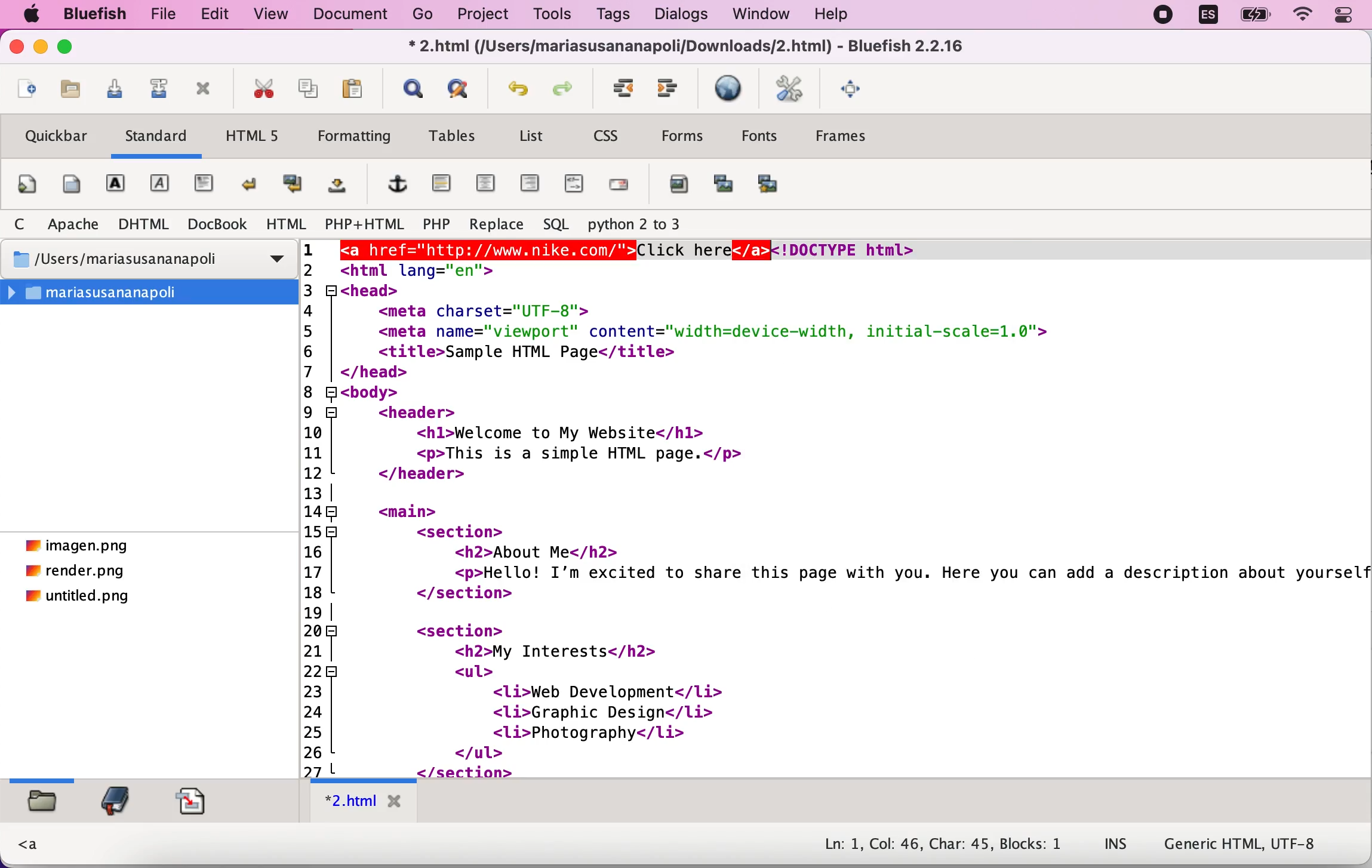 This screenshot has height=868, width=1372. What do you see at coordinates (857, 95) in the screenshot?
I see `full screen` at bounding box center [857, 95].